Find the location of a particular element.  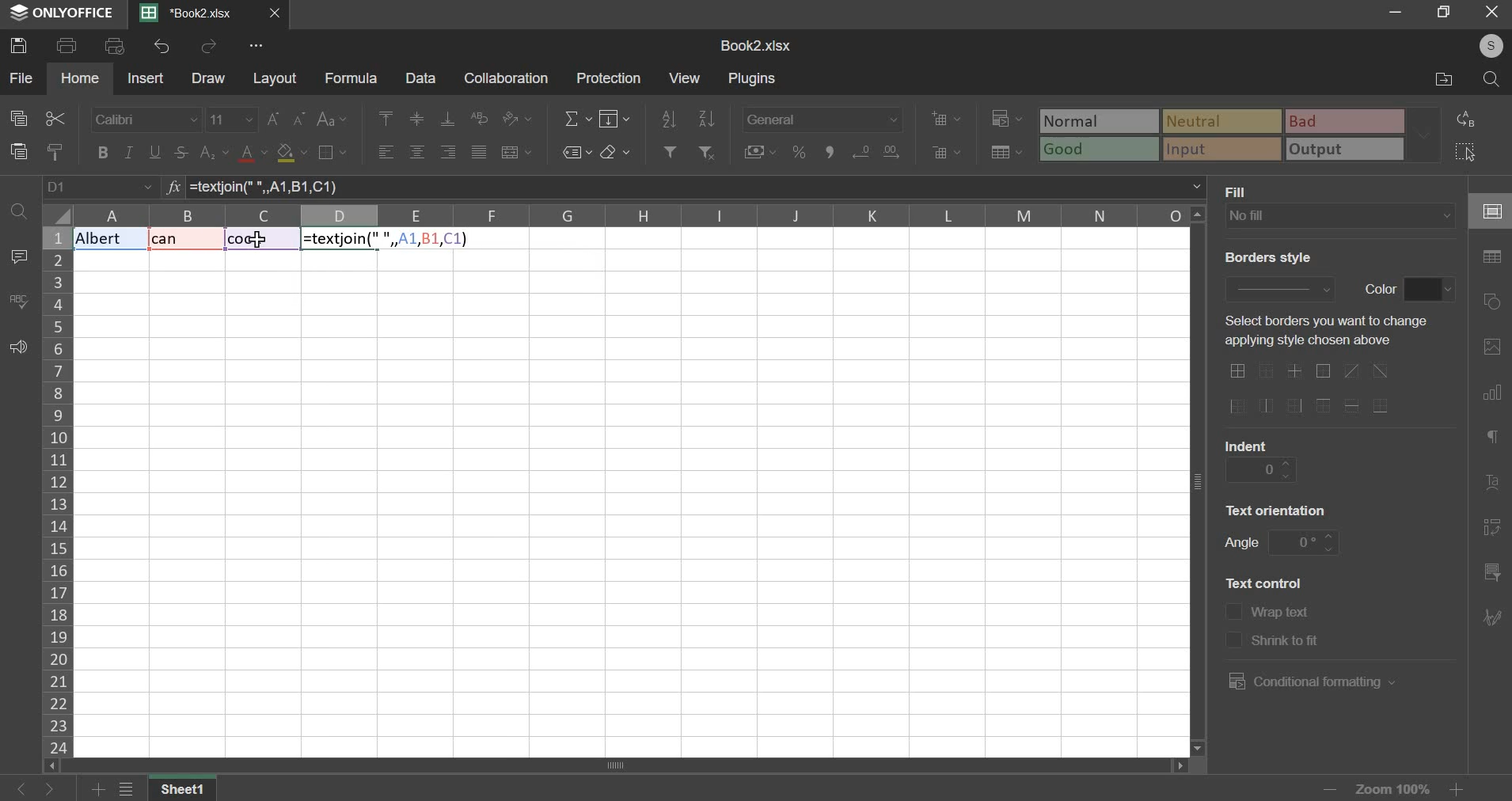

file is located at coordinates (21, 77).